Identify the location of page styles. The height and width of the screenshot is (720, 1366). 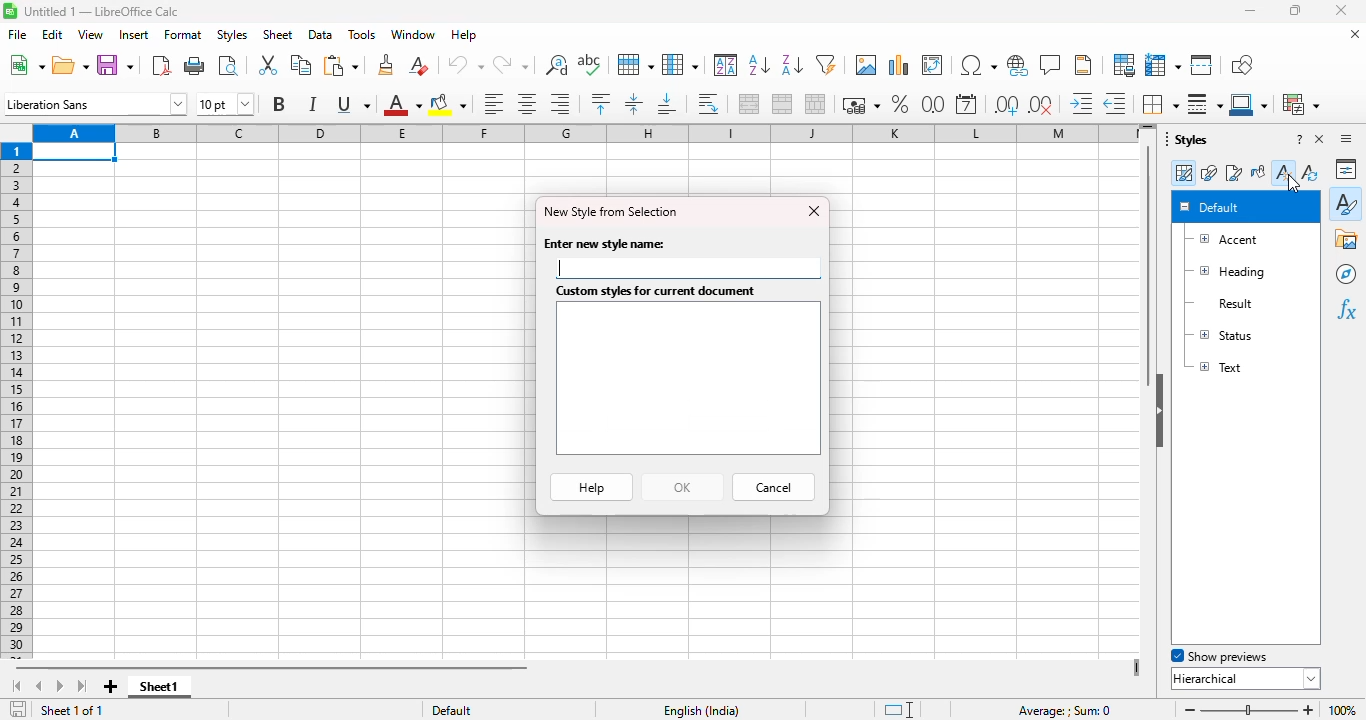
(1233, 172).